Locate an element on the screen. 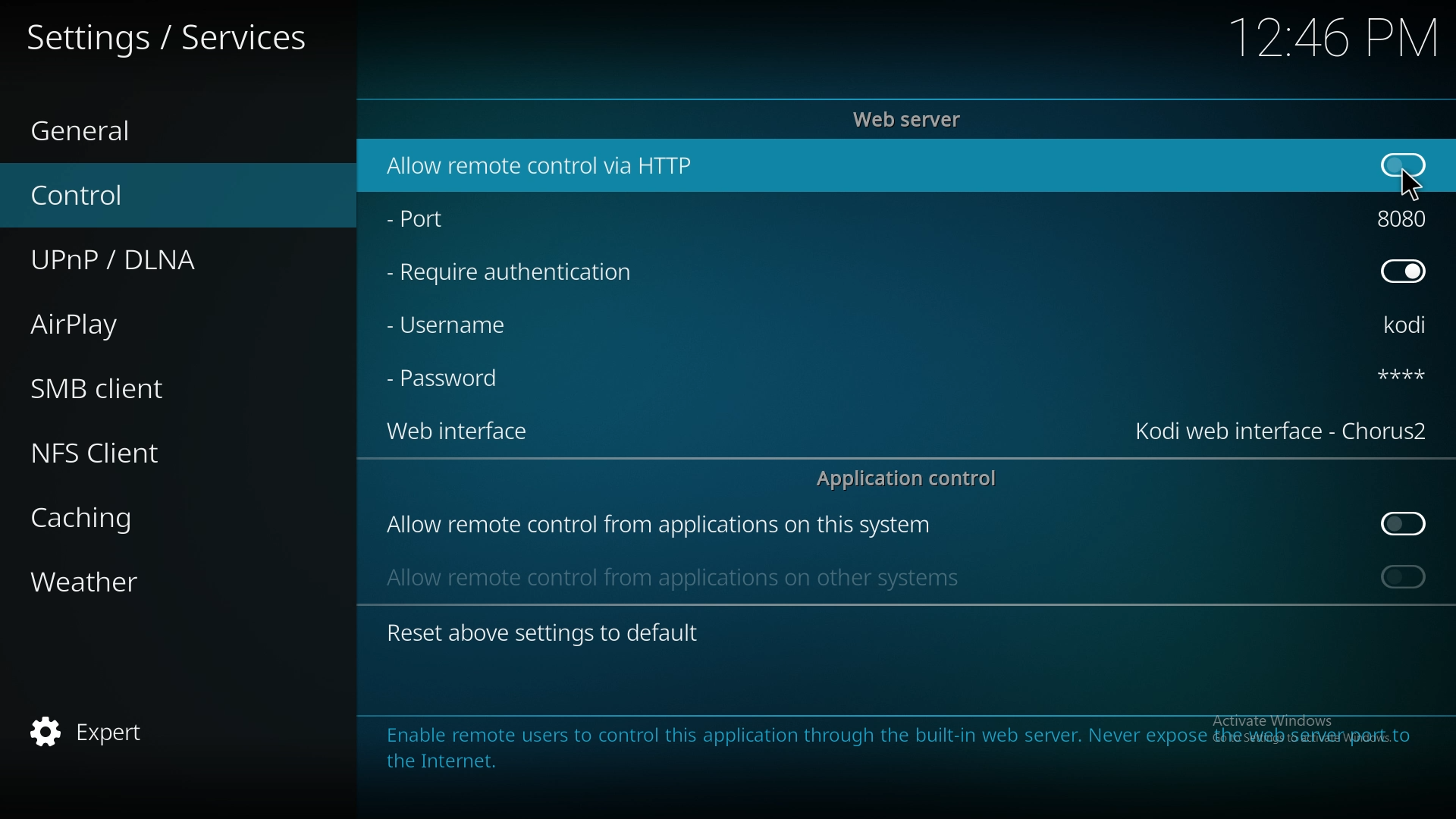 The height and width of the screenshot is (819, 1456). allow remote control via http is located at coordinates (542, 166).